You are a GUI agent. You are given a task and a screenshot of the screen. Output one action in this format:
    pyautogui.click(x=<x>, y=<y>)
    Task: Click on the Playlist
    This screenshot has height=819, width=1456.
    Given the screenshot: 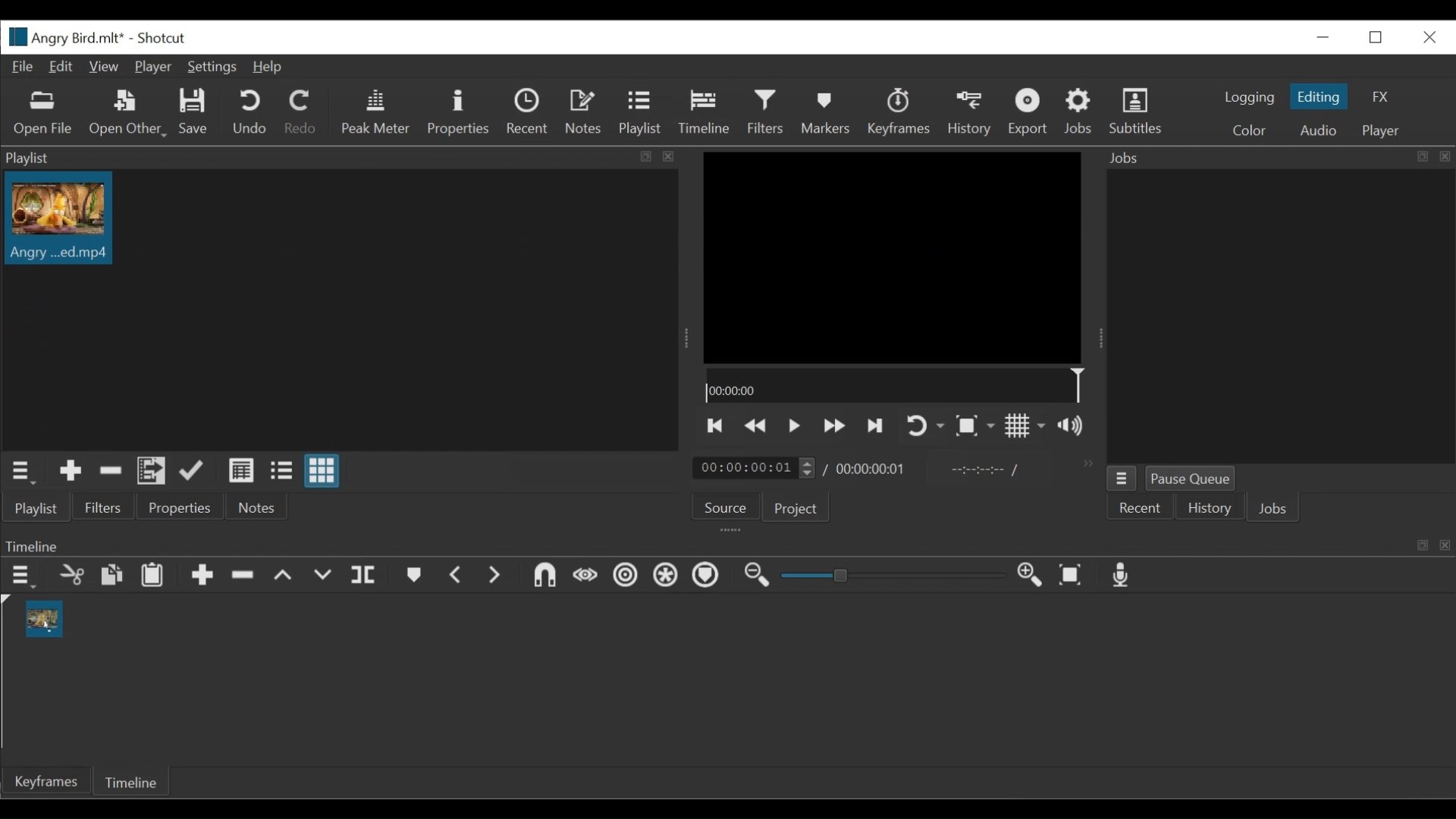 What is the action you would take?
    pyautogui.click(x=341, y=158)
    